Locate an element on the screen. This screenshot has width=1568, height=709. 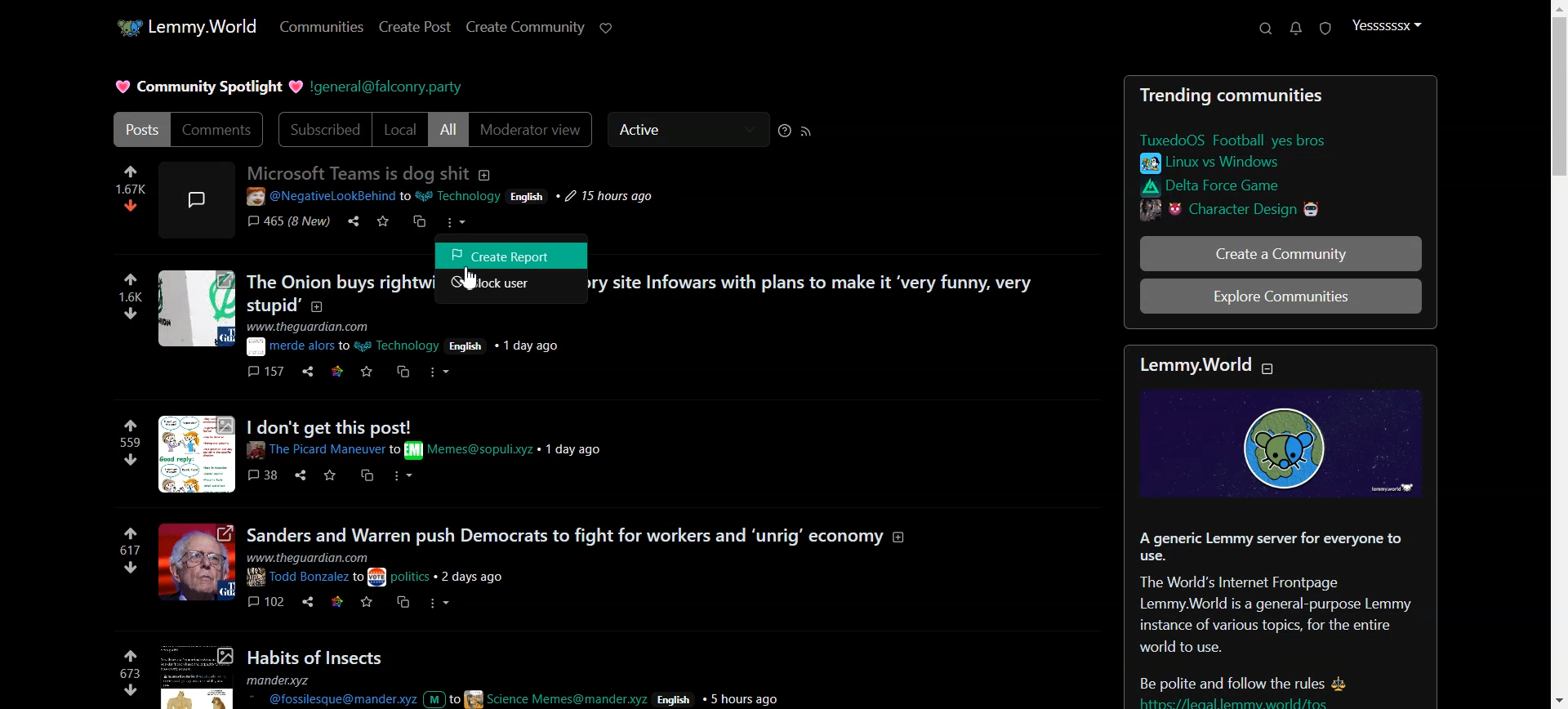
link is located at coordinates (1243, 187).